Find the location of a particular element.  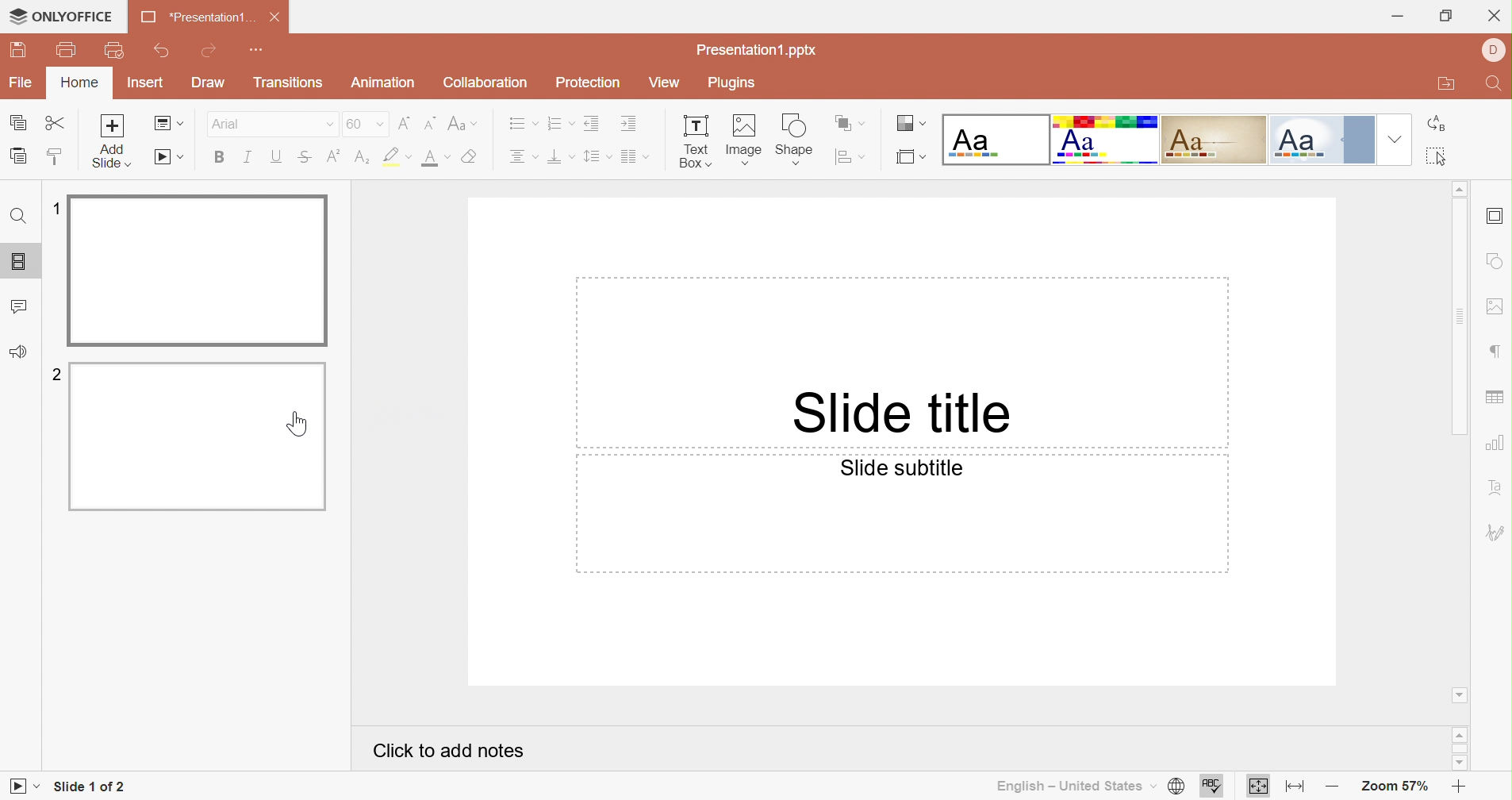

Slides is located at coordinates (18, 262).